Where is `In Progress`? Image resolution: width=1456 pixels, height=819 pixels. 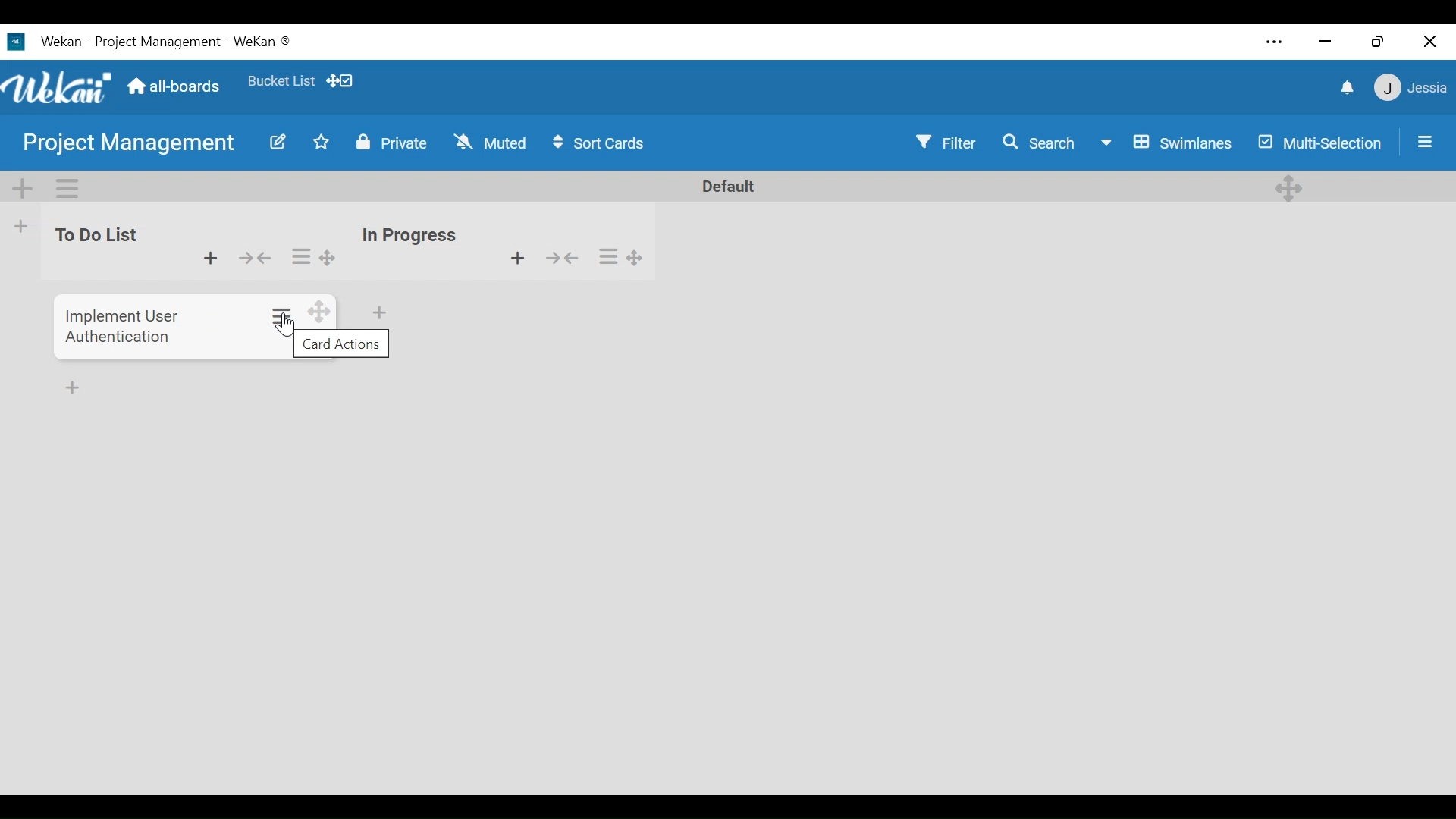 In Progress is located at coordinates (411, 236).